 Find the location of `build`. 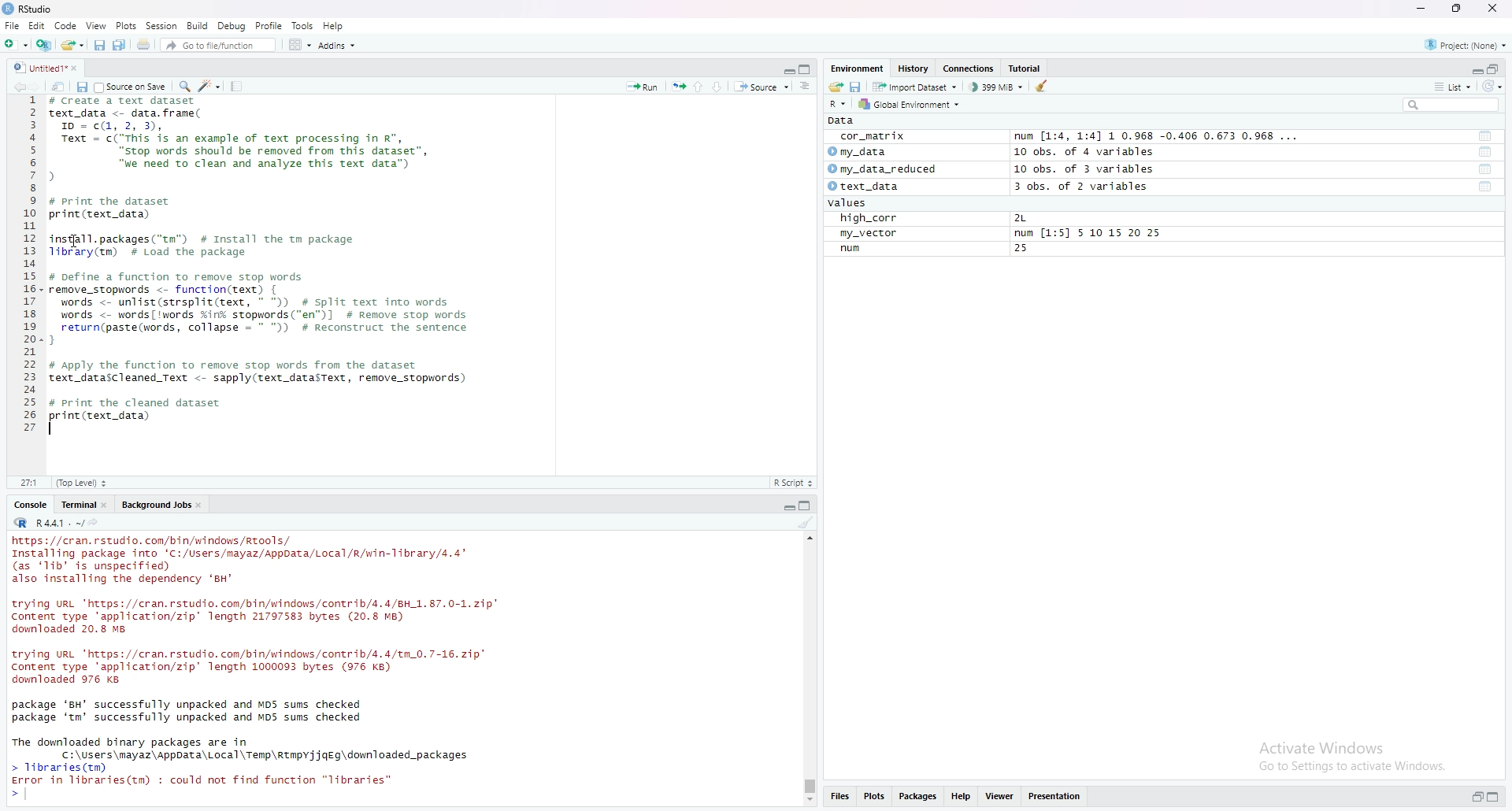

build is located at coordinates (198, 26).